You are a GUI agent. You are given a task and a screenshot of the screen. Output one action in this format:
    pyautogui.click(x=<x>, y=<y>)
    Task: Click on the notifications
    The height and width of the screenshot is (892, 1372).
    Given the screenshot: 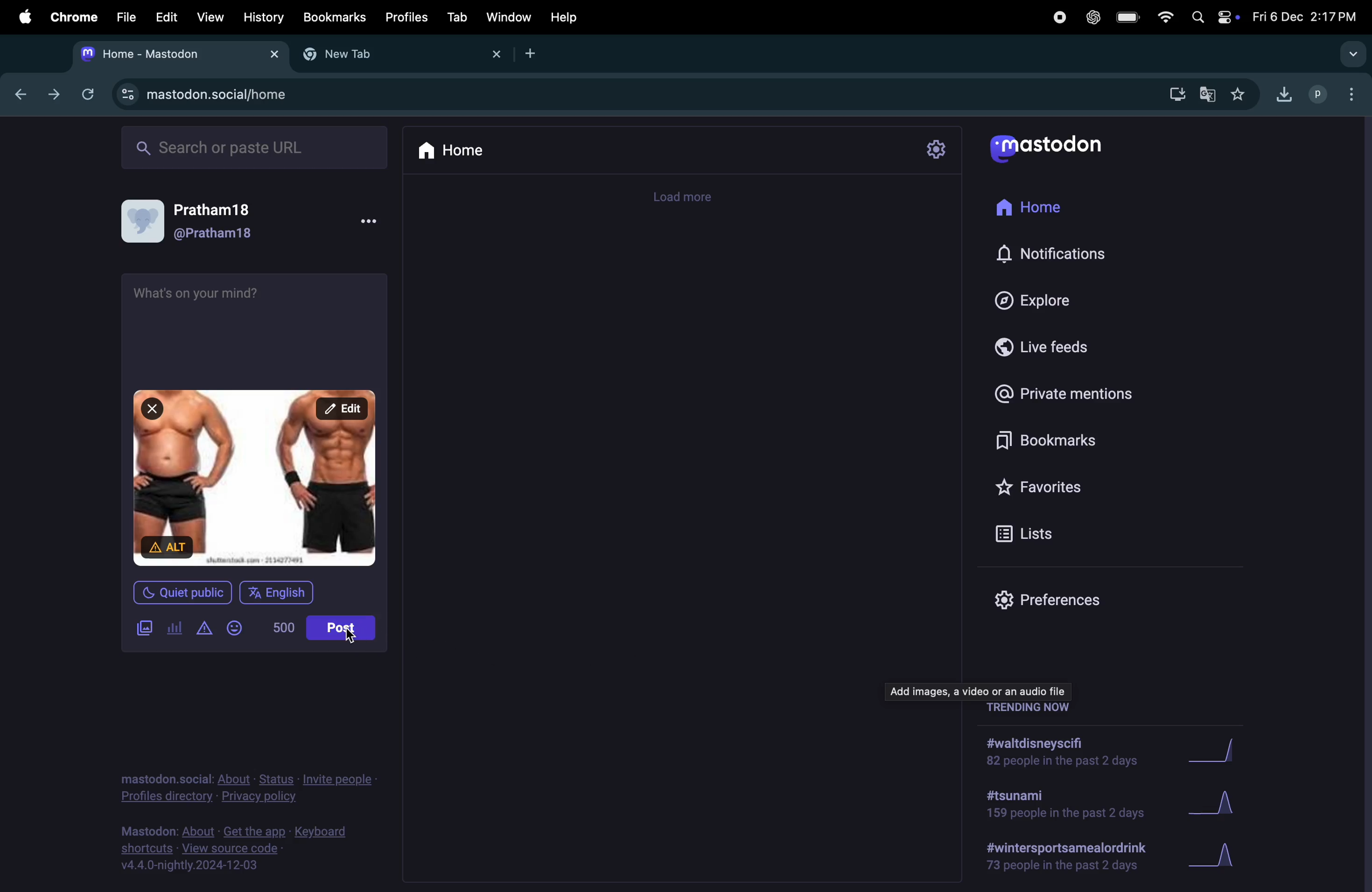 What is the action you would take?
    pyautogui.click(x=1056, y=254)
    